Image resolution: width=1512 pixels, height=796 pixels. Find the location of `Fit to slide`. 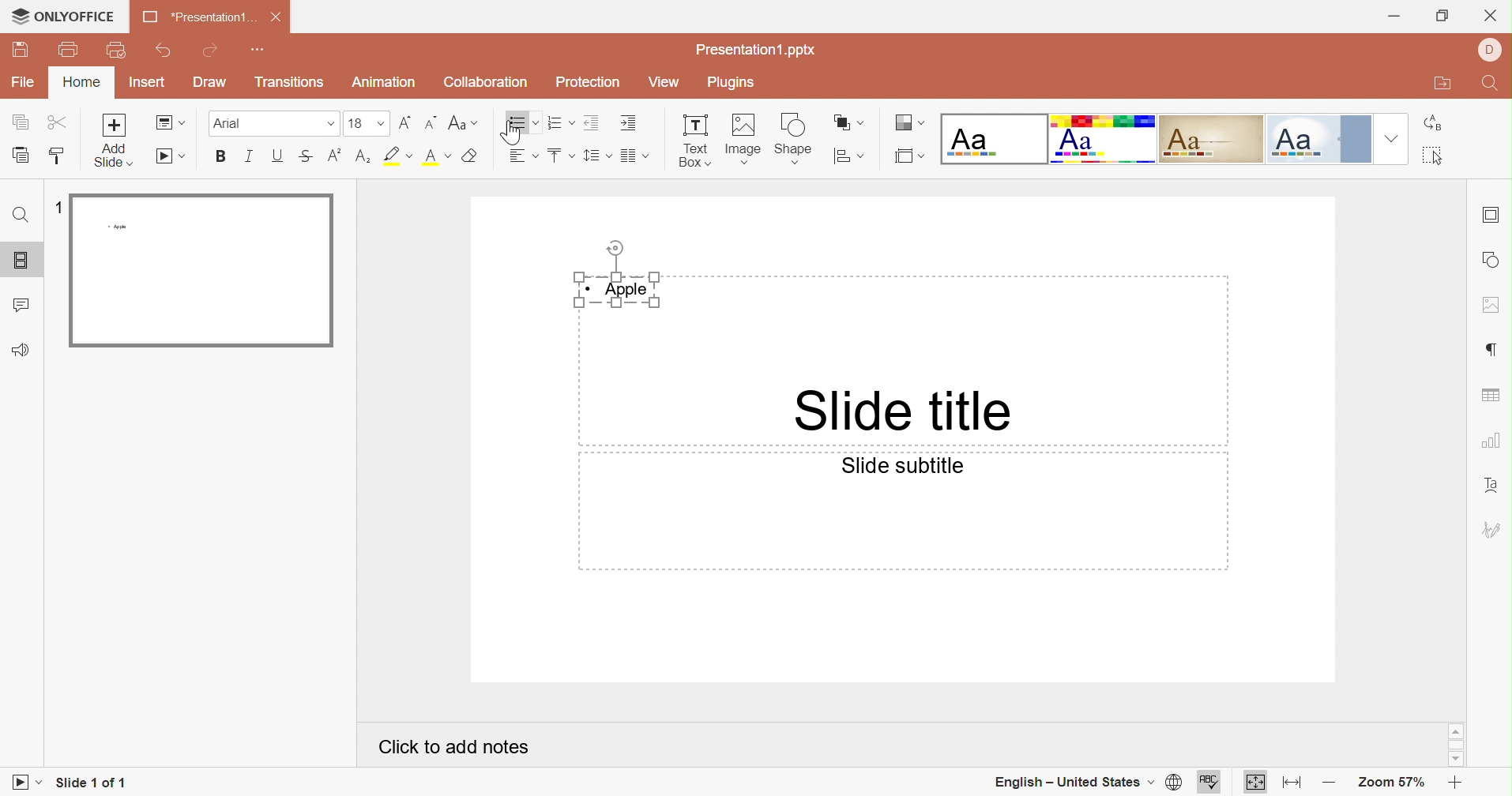

Fit to slide is located at coordinates (1256, 783).